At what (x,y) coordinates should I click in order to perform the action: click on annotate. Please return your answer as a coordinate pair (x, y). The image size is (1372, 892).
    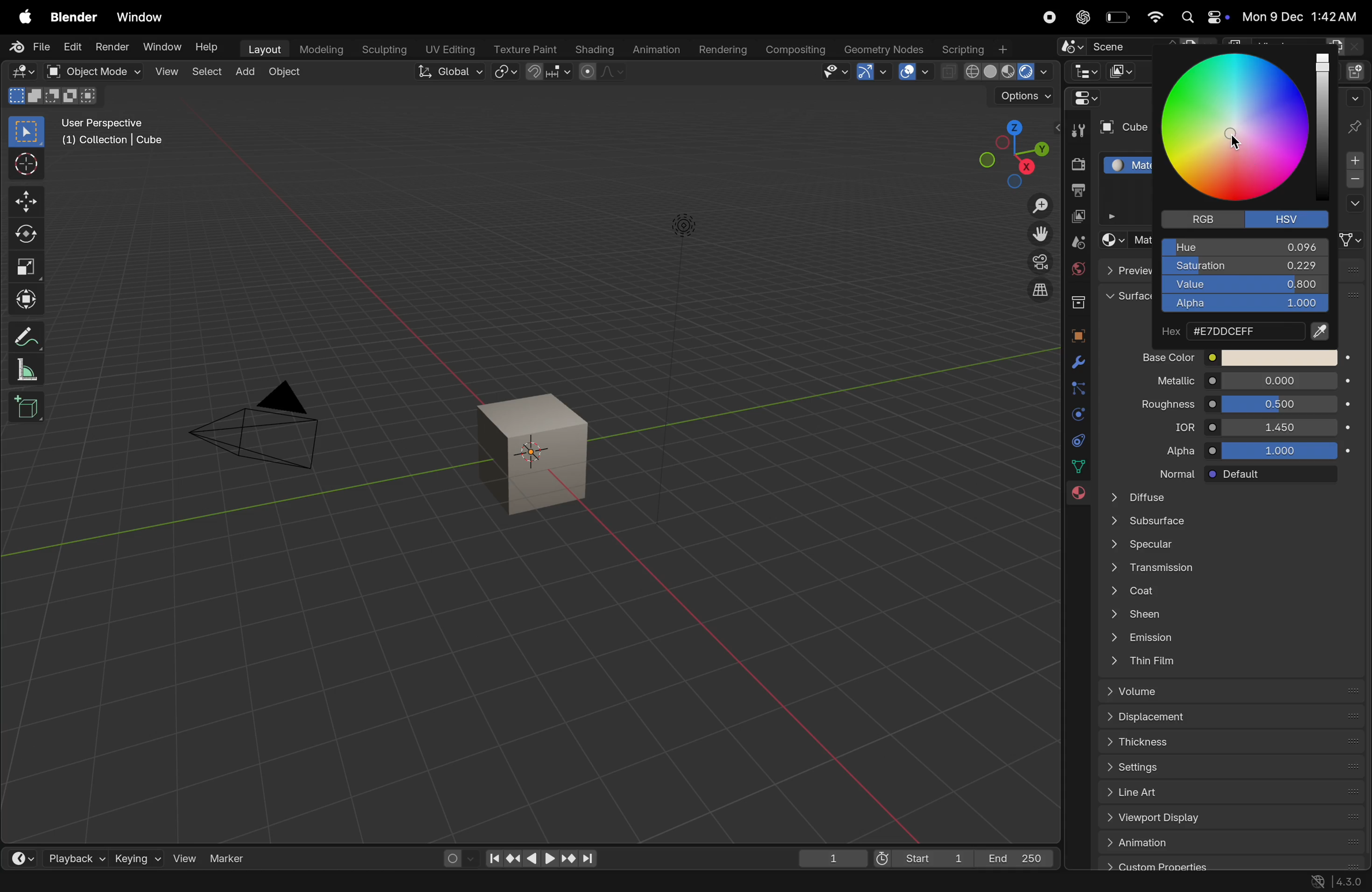
    Looking at the image, I should click on (22, 337).